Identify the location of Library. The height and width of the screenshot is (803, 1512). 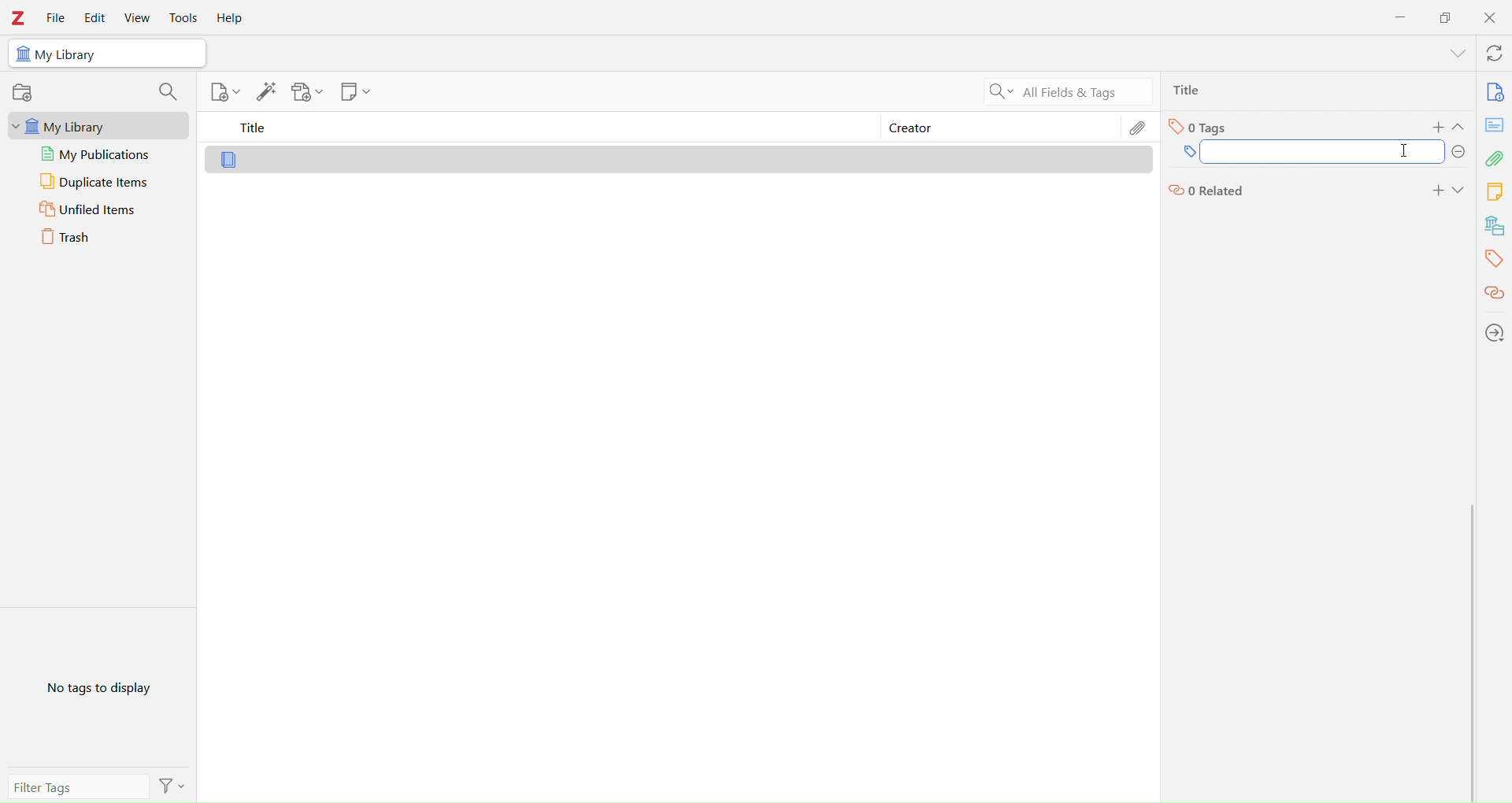
(446, 158).